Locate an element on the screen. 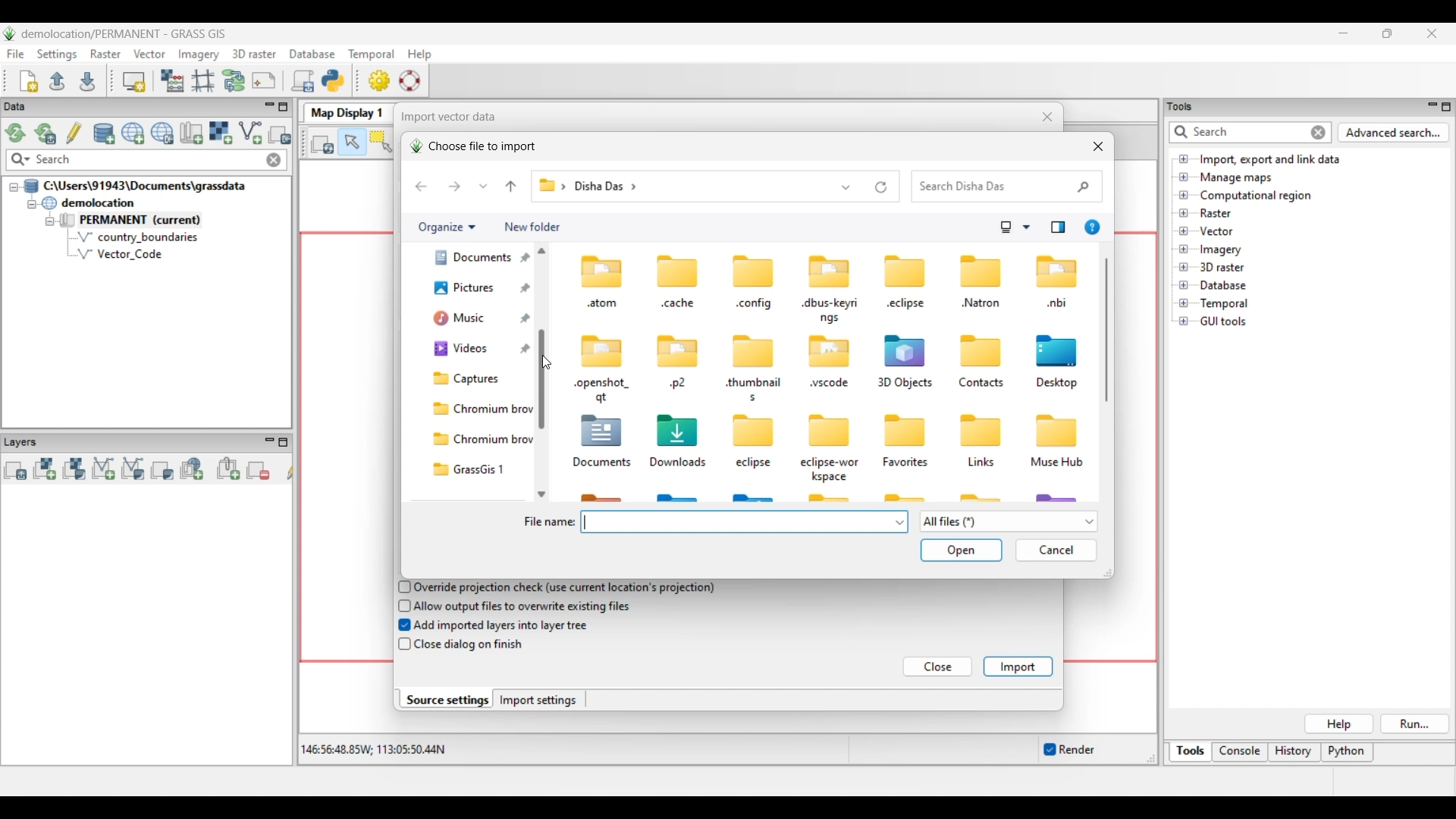 This screenshot has width=1456, height=819. Import raster data is located at coordinates (220, 133).